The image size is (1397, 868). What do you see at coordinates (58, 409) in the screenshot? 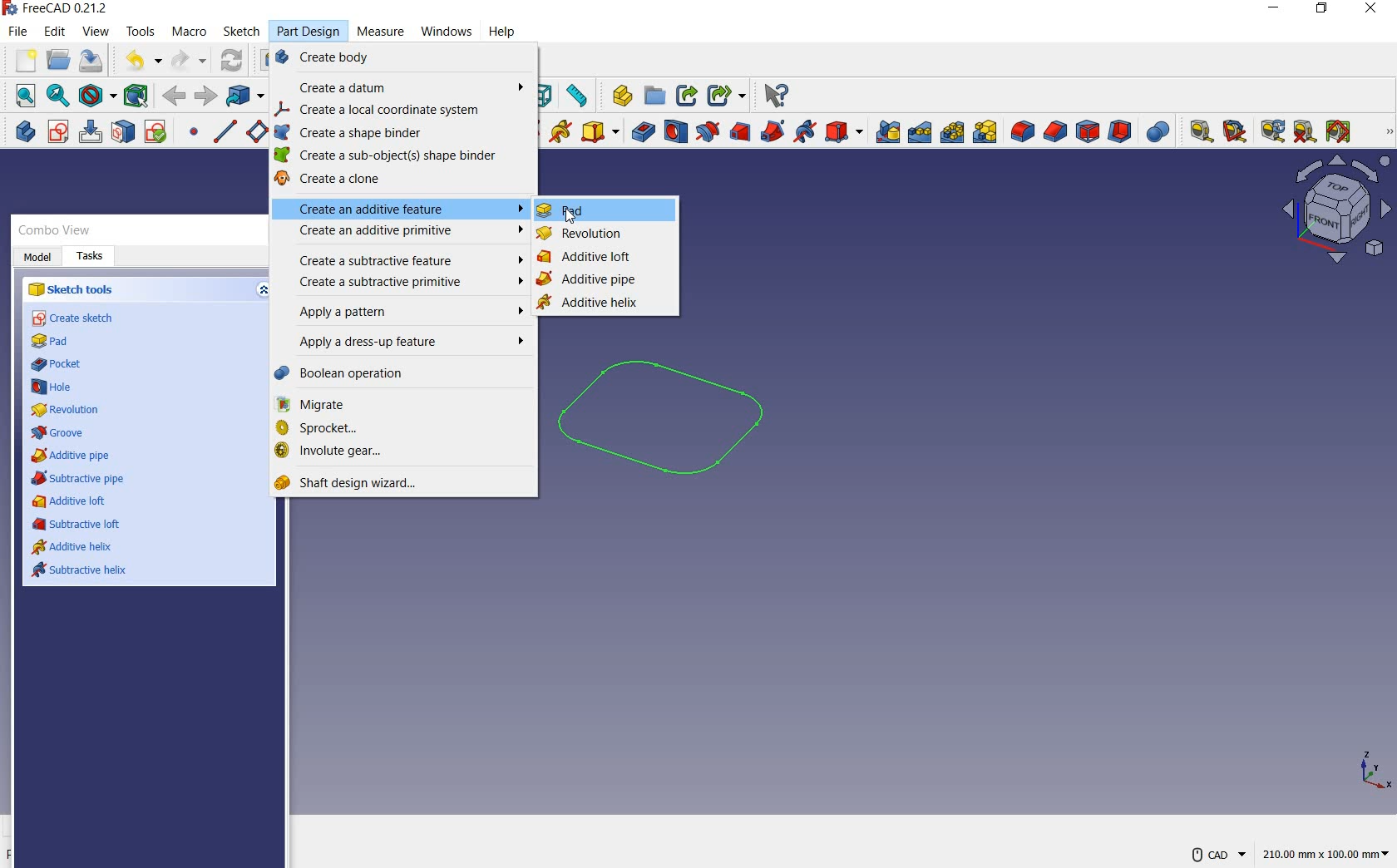
I see `revolution` at bounding box center [58, 409].